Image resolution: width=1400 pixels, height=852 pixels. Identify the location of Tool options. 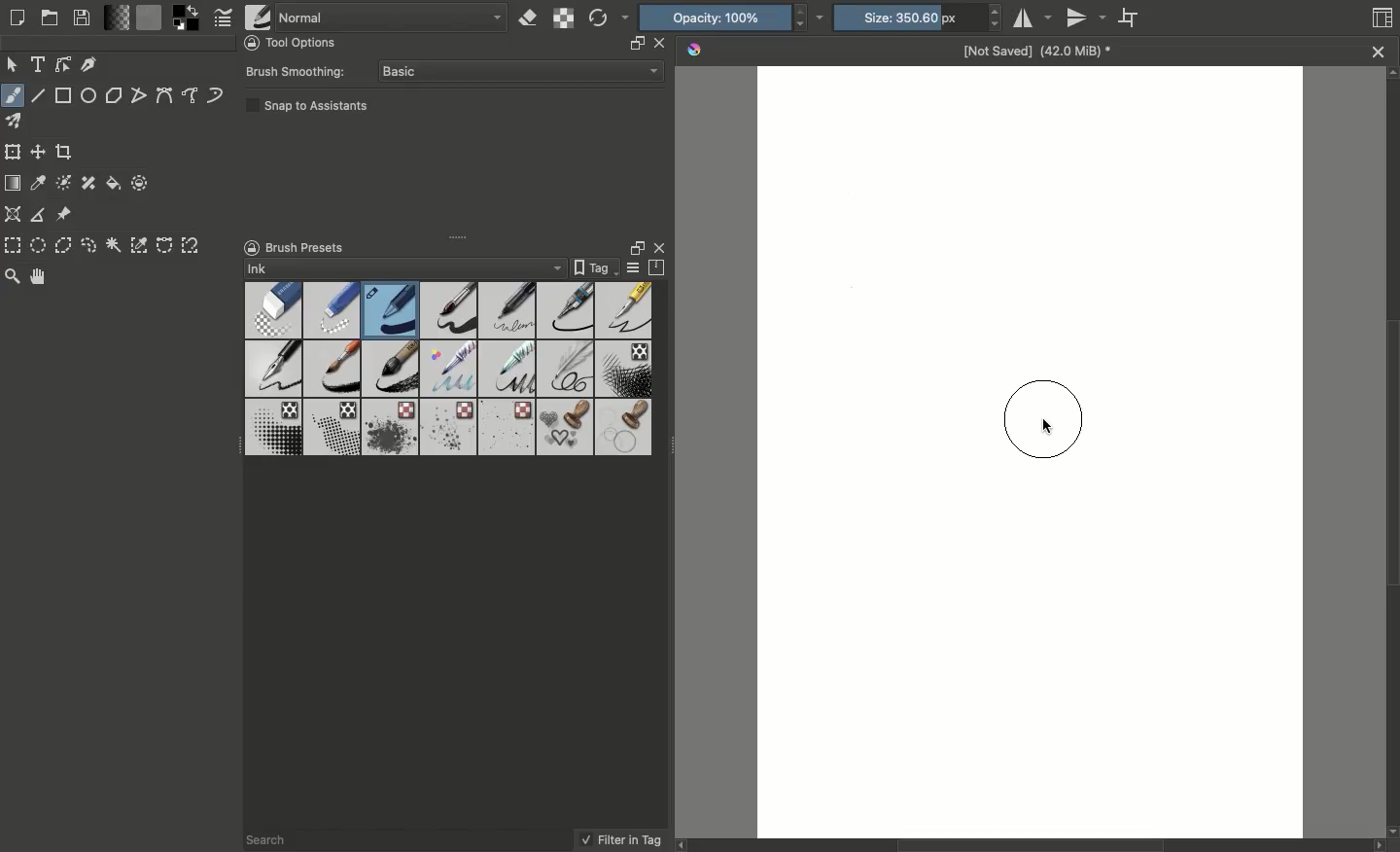
(297, 42).